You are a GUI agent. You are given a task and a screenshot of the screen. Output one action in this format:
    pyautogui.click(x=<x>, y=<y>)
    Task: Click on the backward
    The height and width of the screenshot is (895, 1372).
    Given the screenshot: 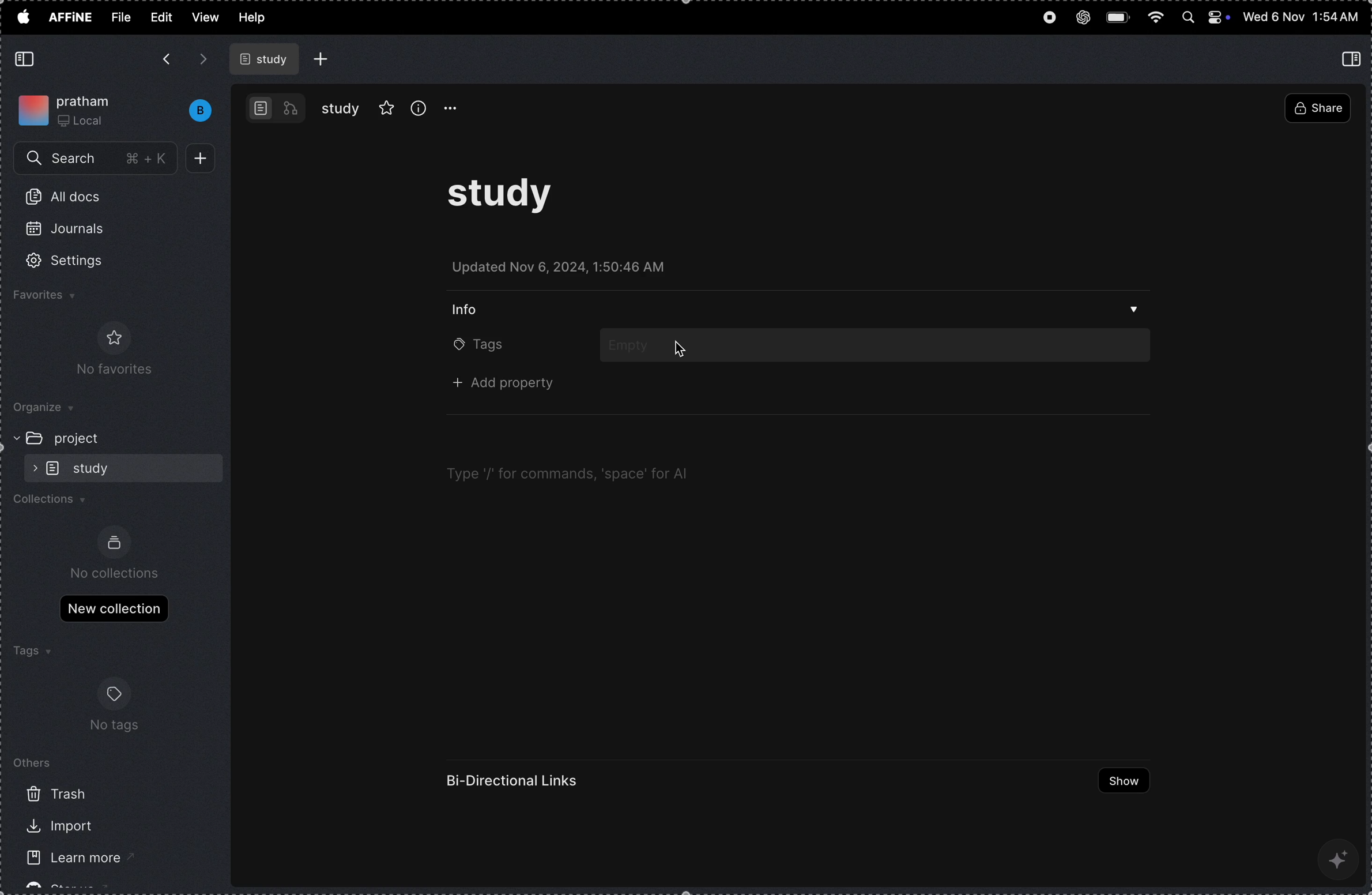 What is the action you would take?
    pyautogui.click(x=165, y=61)
    